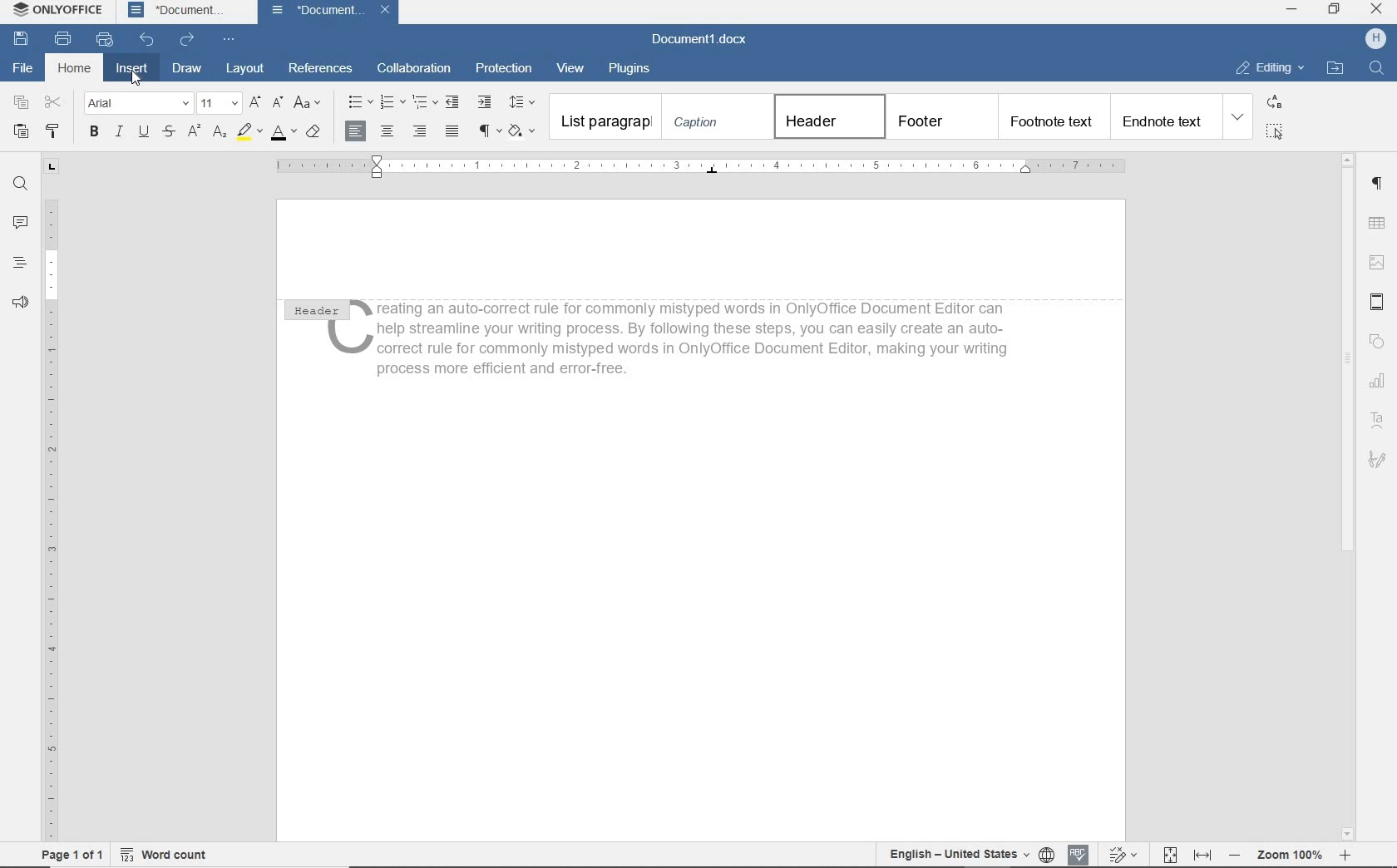  What do you see at coordinates (699, 38) in the screenshot?
I see `DOCUMENT .docx` at bounding box center [699, 38].